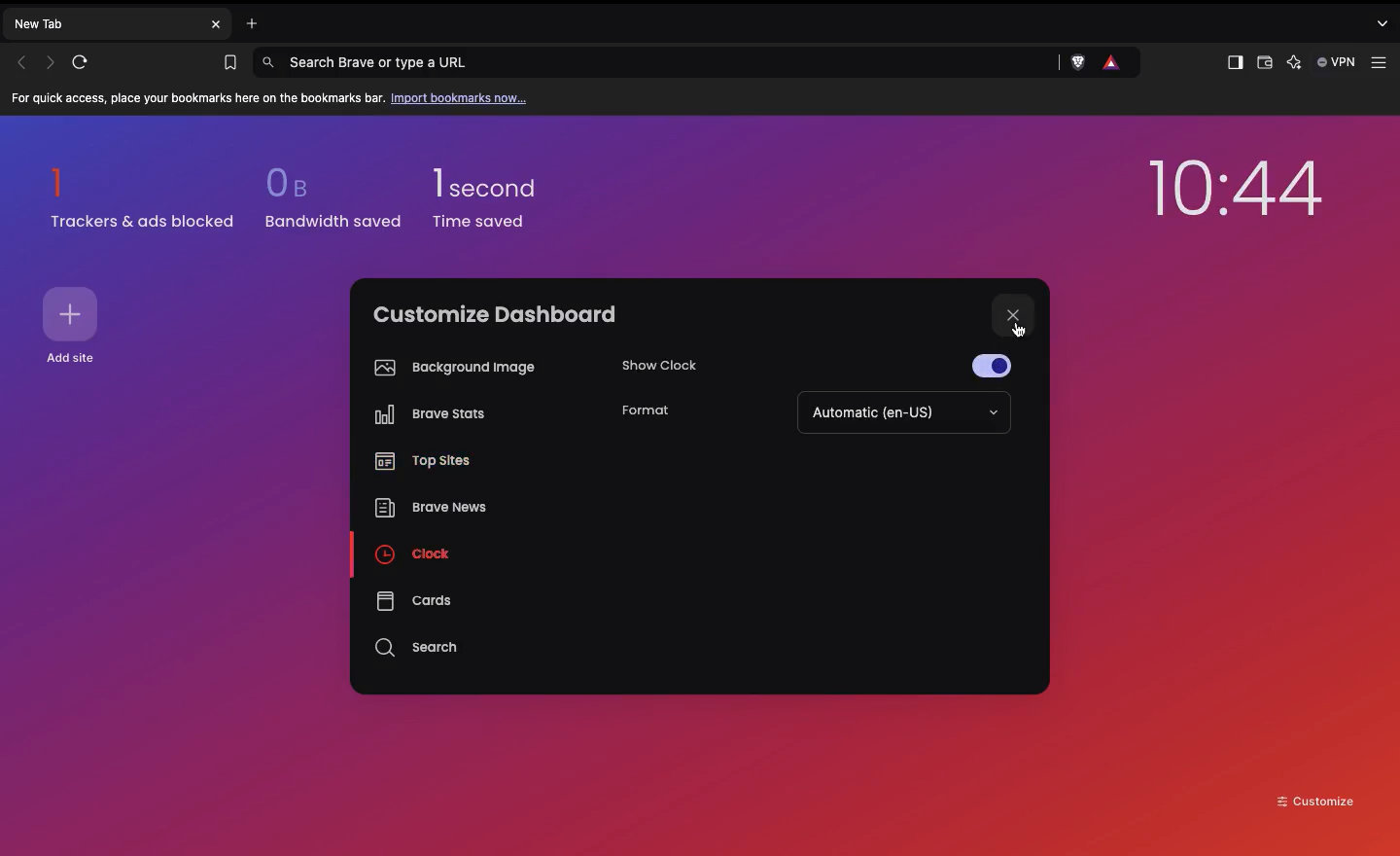 The width and height of the screenshot is (1400, 856). I want to click on On top sites, so click(424, 463).